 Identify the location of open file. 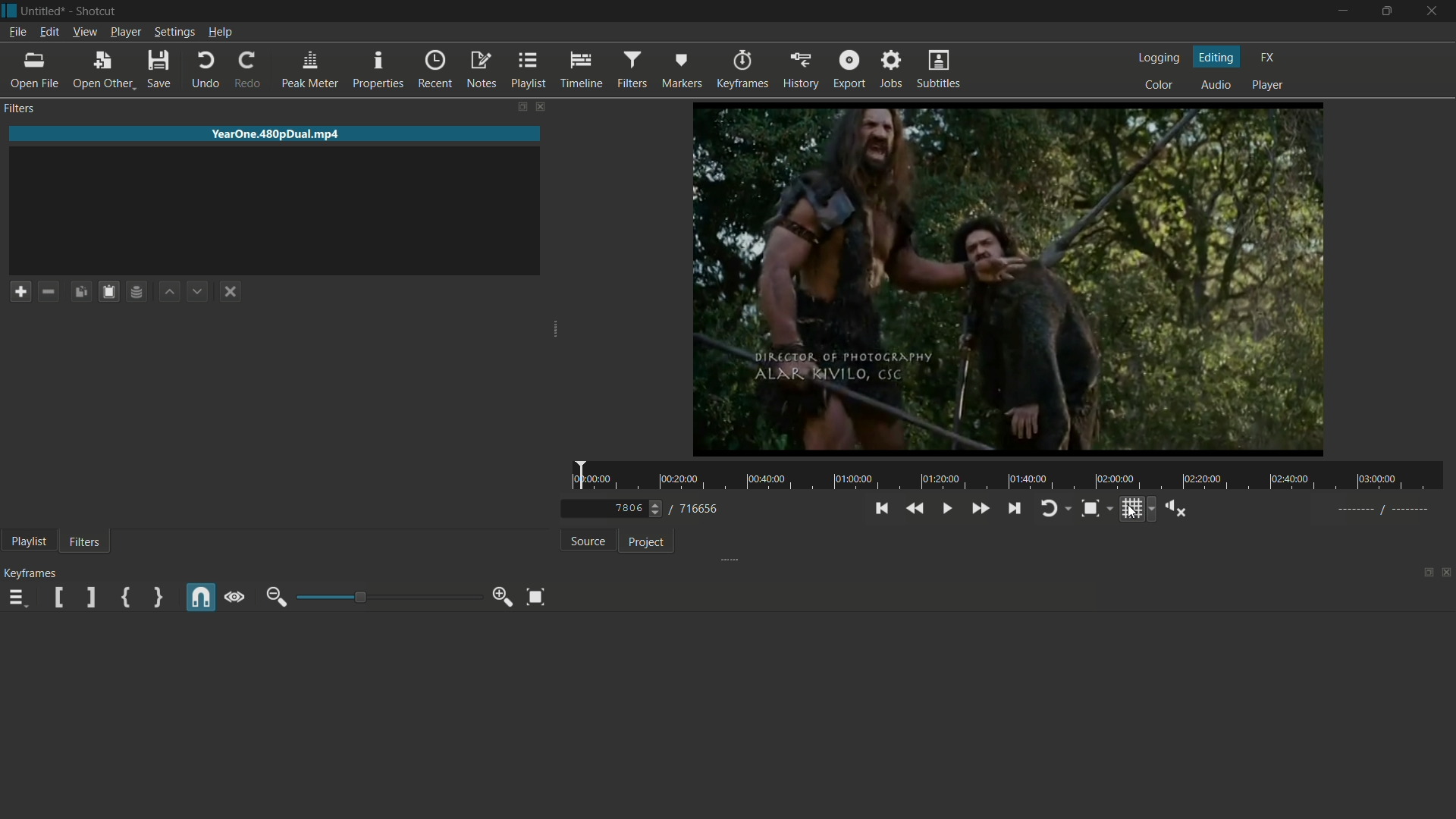
(36, 71).